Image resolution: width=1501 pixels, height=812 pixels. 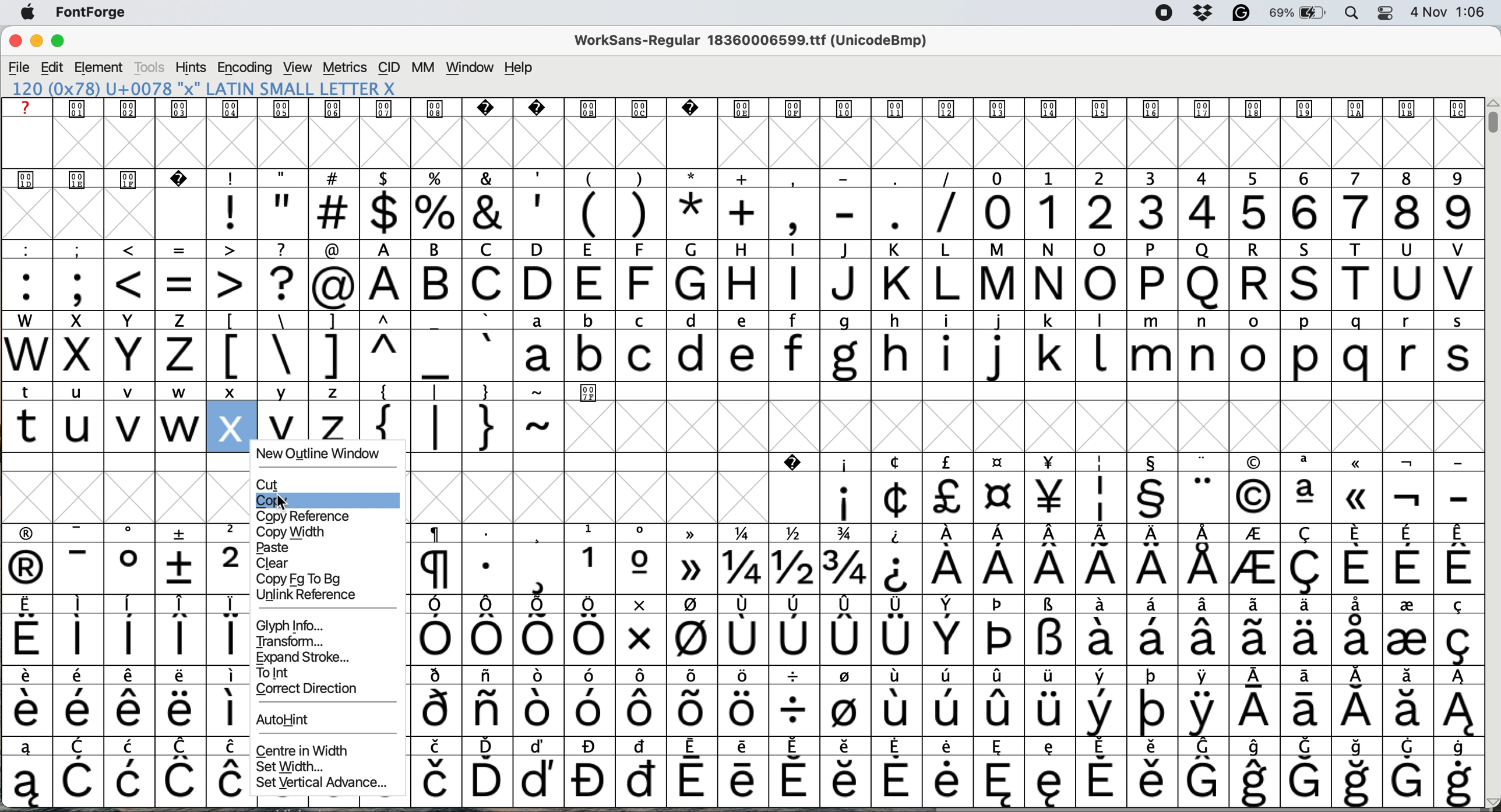 What do you see at coordinates (346, 69) in the screenshot?
I see `metrics` at bounding box center [346, 69].